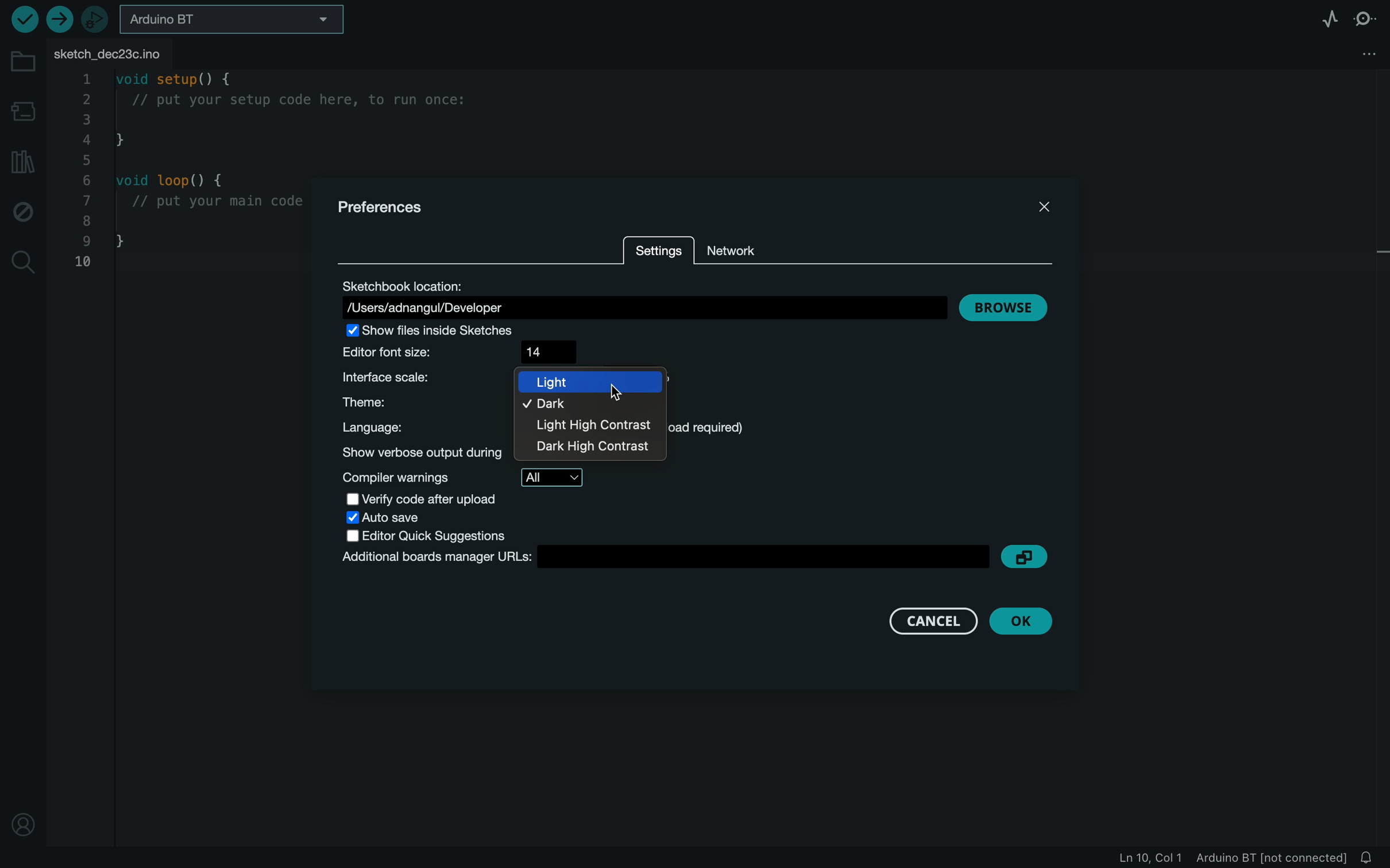 This screenshot has width=1390, height=868. What do you see at coordinates (1028, 621) in the screenshot?
I see `ok` at bounding box center [1028, 621].